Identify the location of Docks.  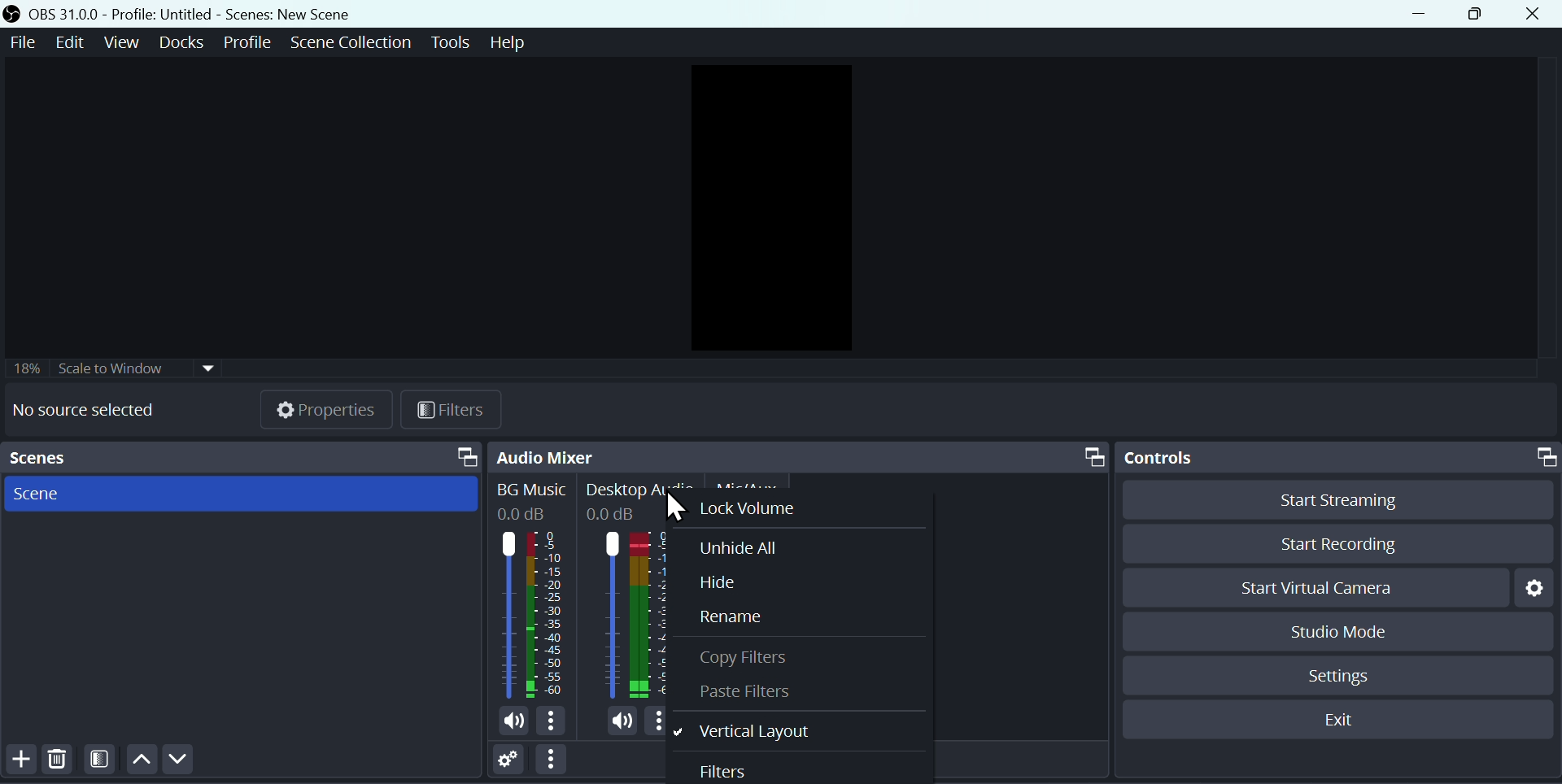
(179, 41).